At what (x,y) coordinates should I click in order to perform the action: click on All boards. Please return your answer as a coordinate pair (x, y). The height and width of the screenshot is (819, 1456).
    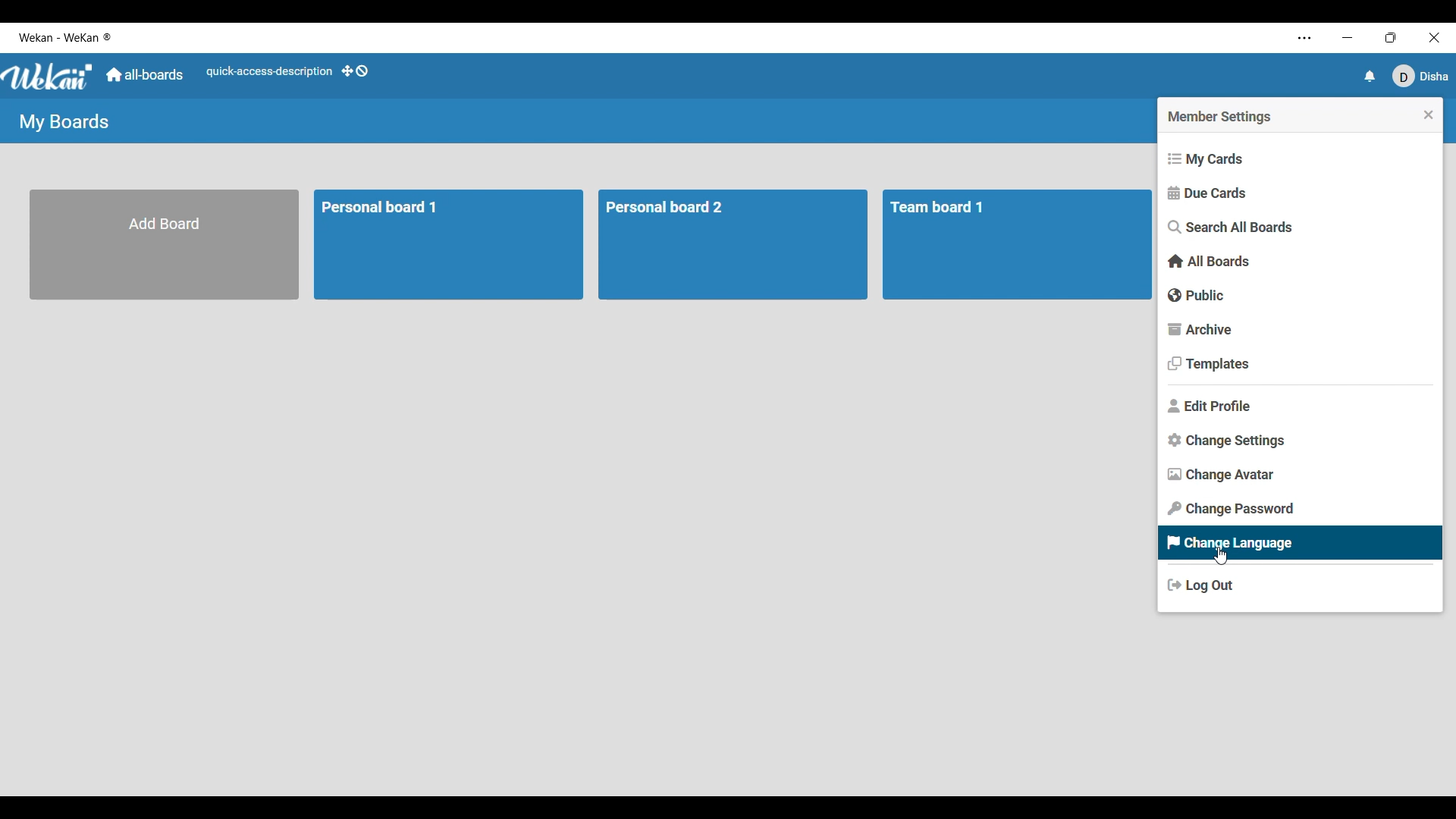
    Looking at the image, I should click on (1298, 261).